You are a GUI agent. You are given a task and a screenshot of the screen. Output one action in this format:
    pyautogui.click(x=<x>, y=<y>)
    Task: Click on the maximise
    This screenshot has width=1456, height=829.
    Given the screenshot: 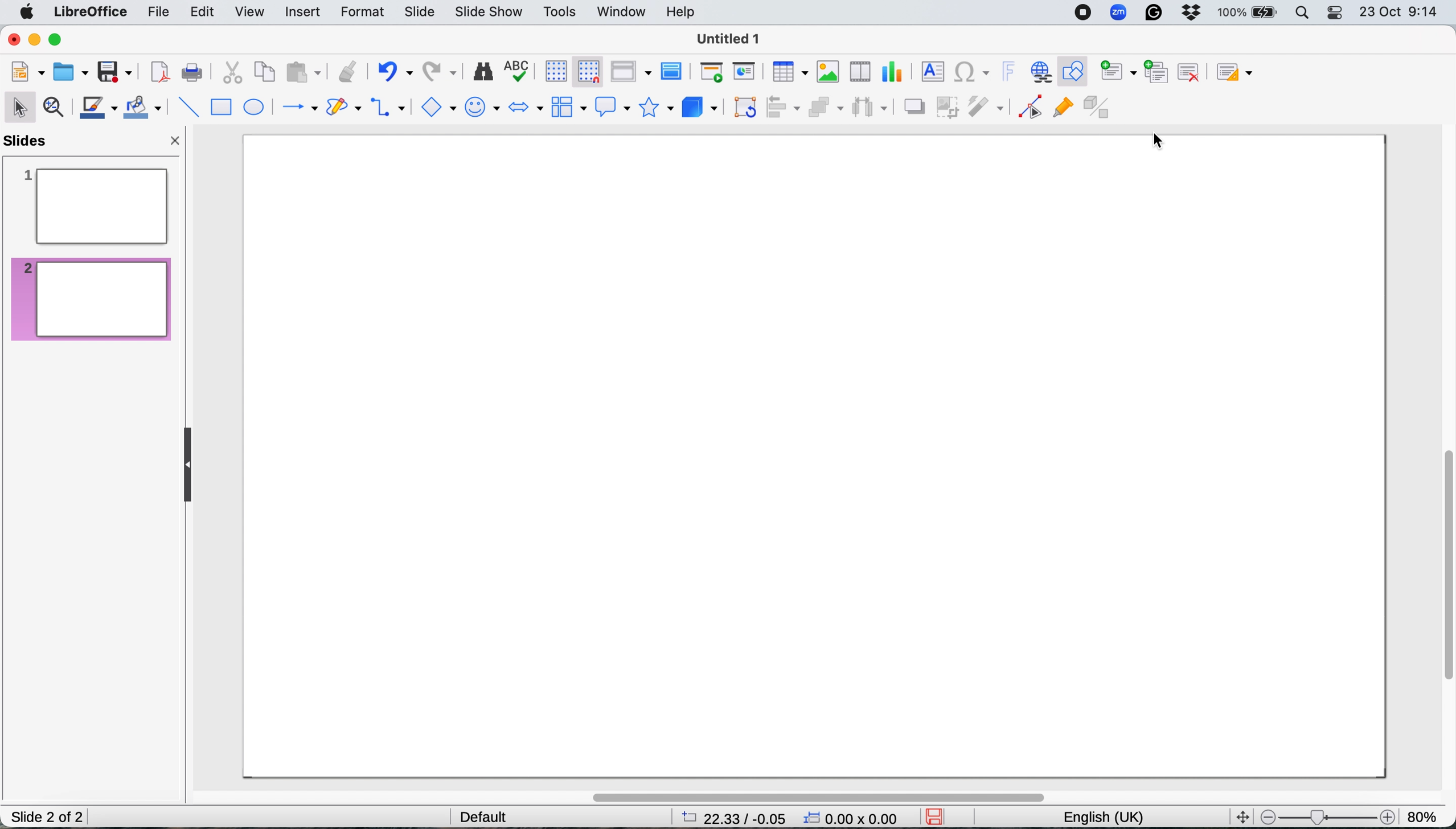 What is the action you would take?
    pyautogui.click(x=57, y=40)
    